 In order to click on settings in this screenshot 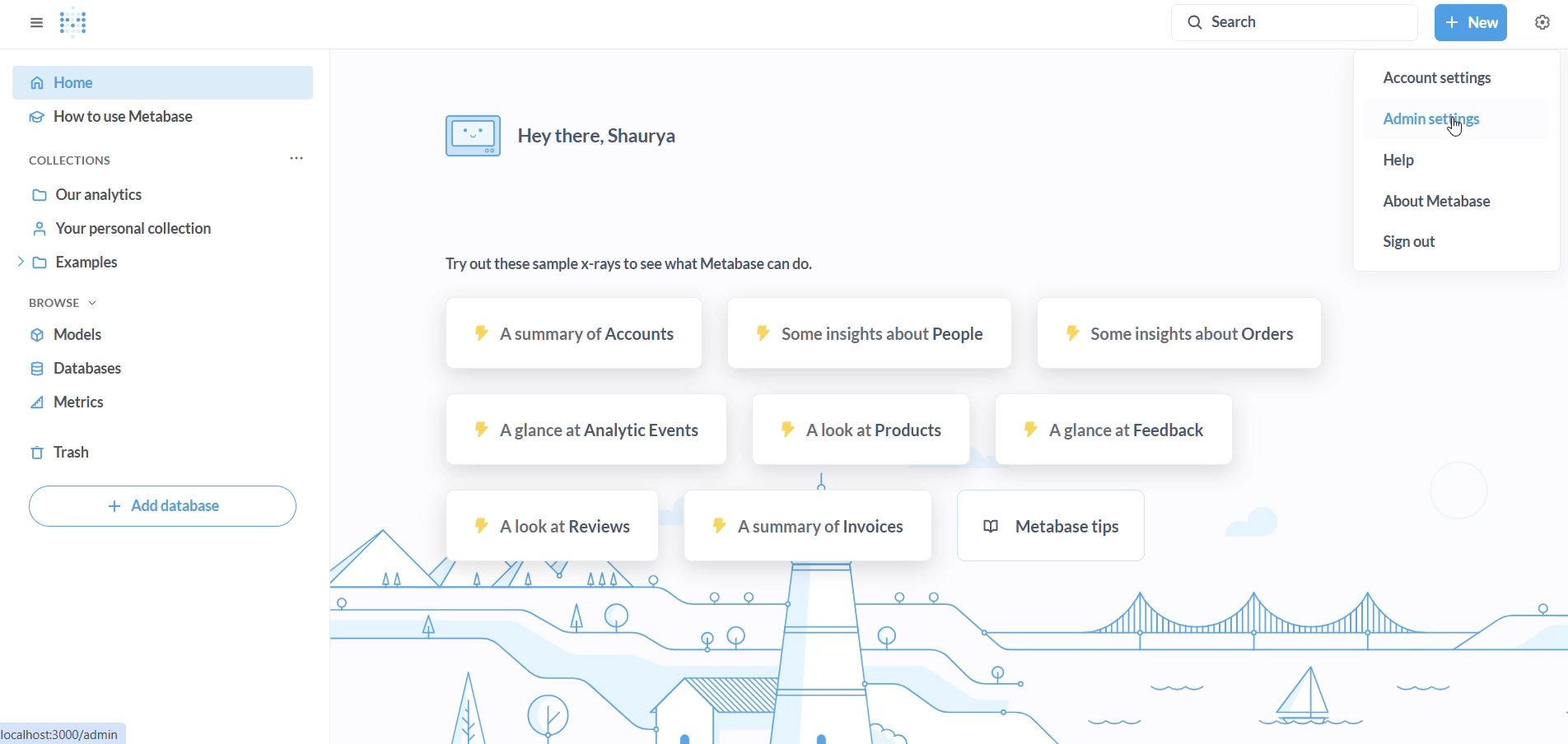, I will do `click(1543, 21)`.